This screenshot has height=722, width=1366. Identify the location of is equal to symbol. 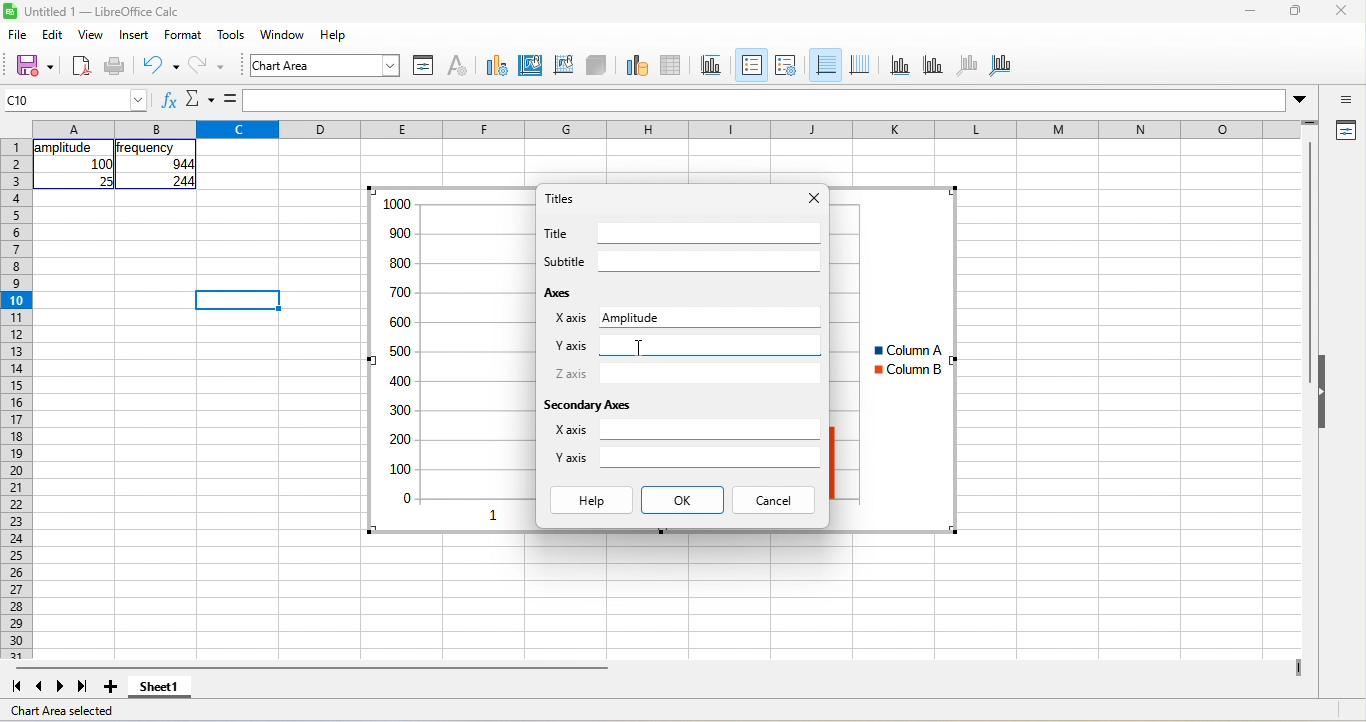
(230, 99).